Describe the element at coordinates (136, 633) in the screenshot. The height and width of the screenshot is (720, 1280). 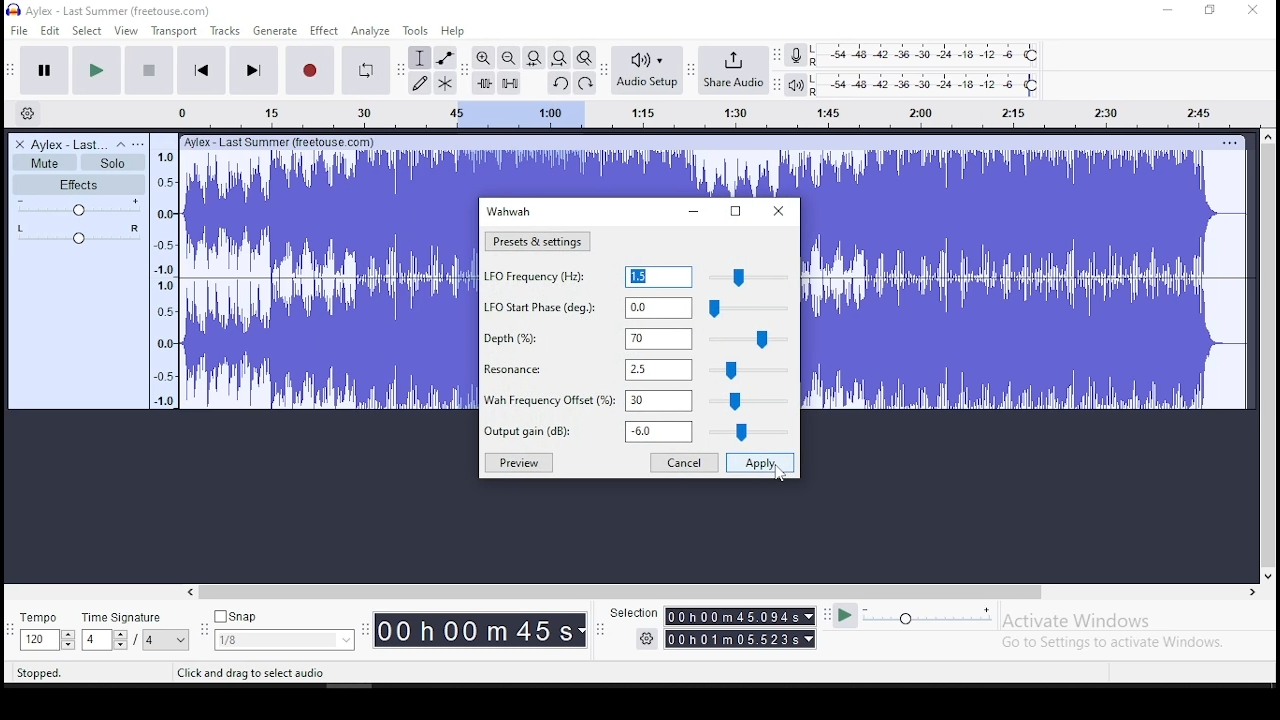
I see `time signature` at that location.